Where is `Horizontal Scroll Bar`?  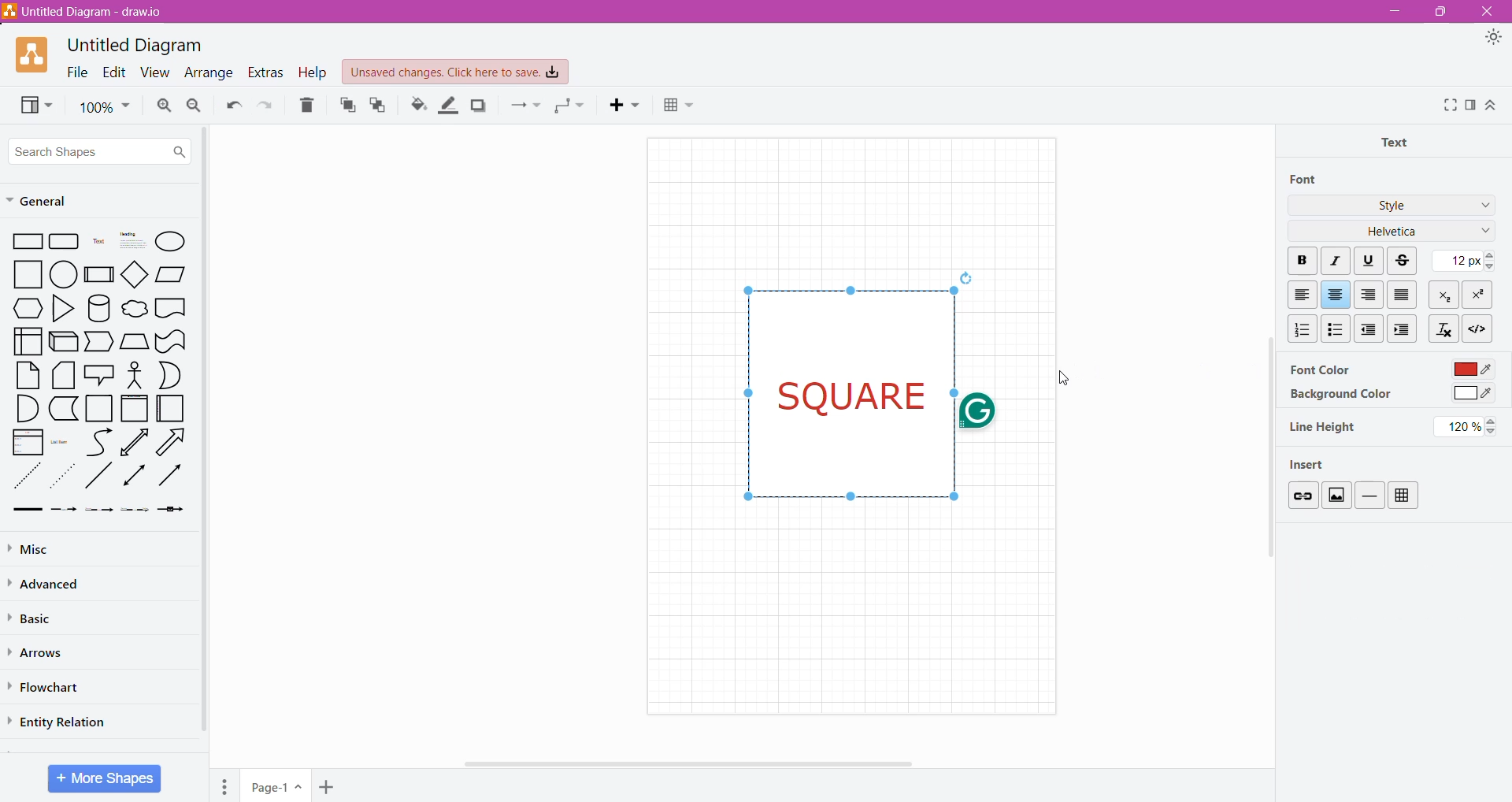 Horizontal Scroll Bar is located at coordinates (695, 763).